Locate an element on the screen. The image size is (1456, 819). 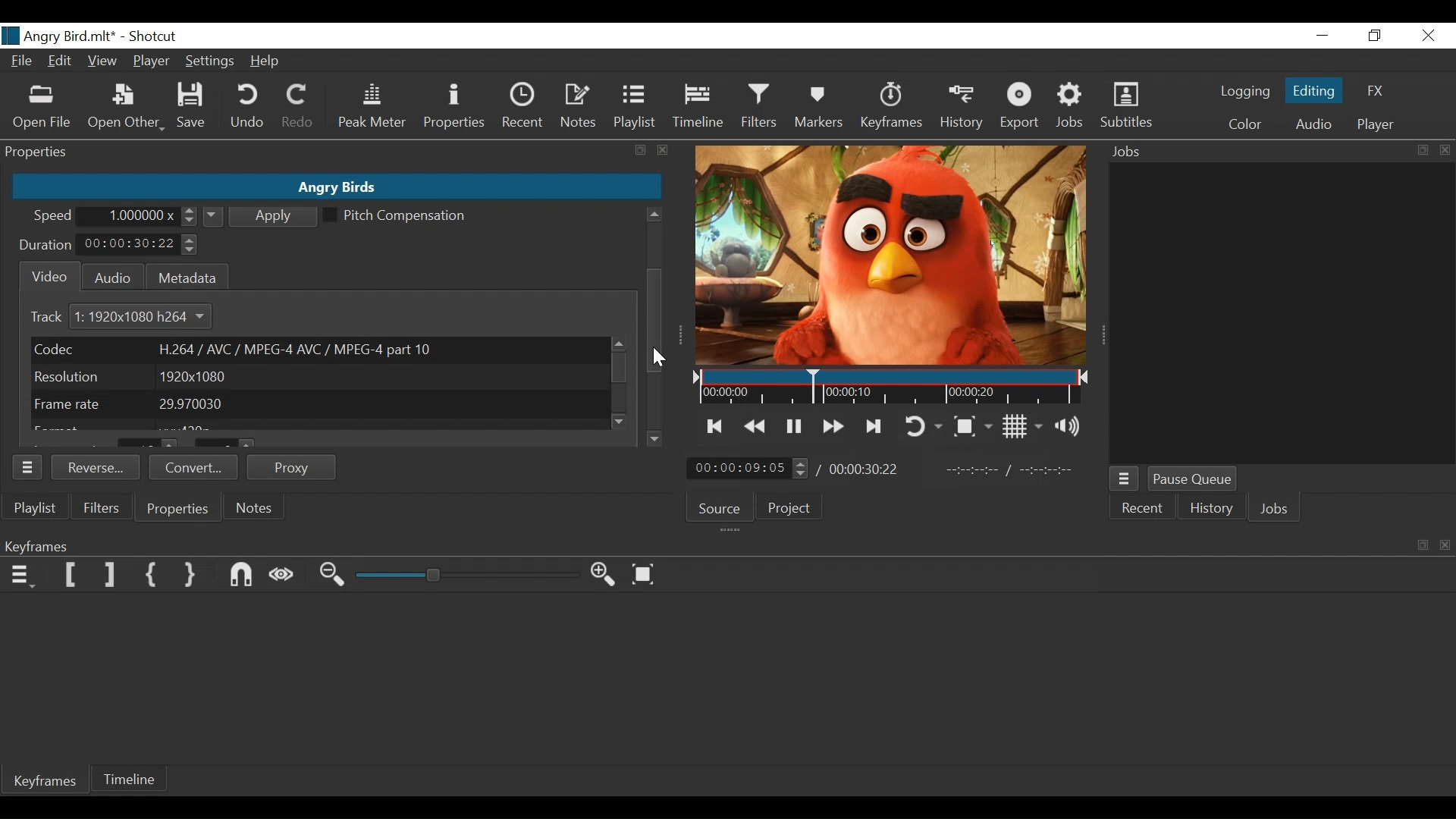
Timeline is located at coordinates (697, 109).